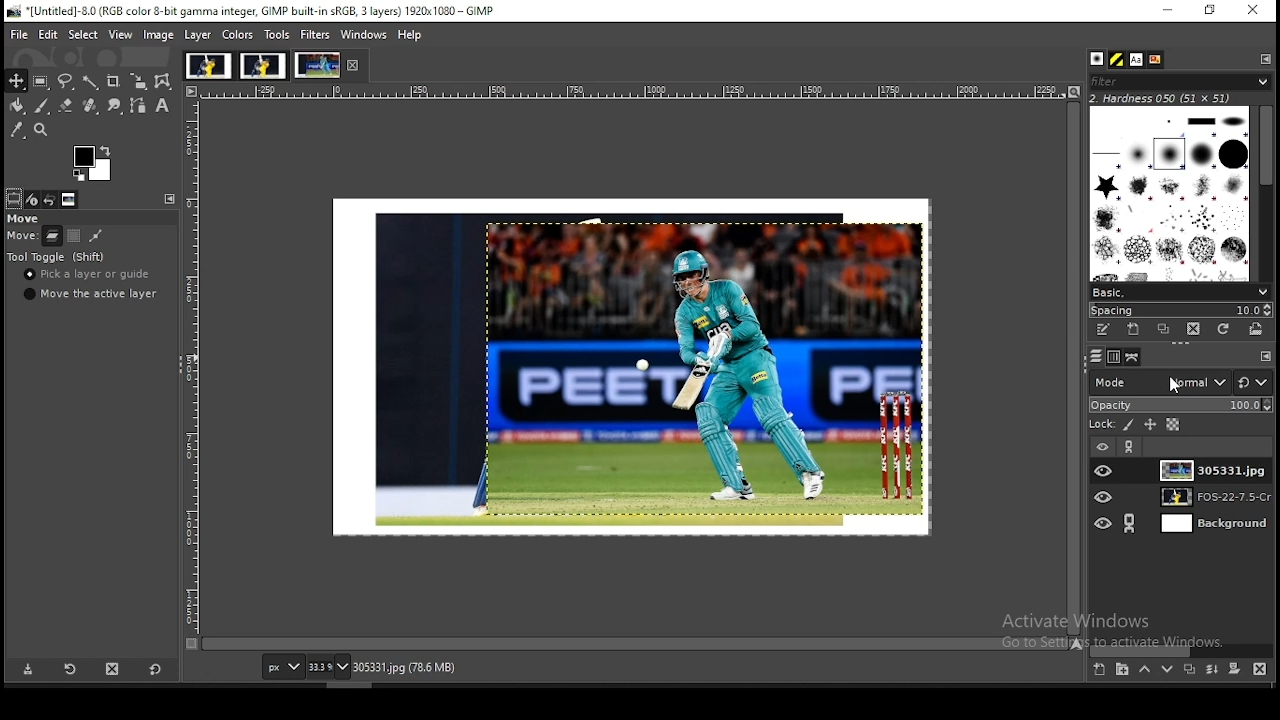 The height and width of the screenshot is (720, 1280). Describe the element at coordinates (1261, 668) in the screenshot. I see `delete layer` at that location.